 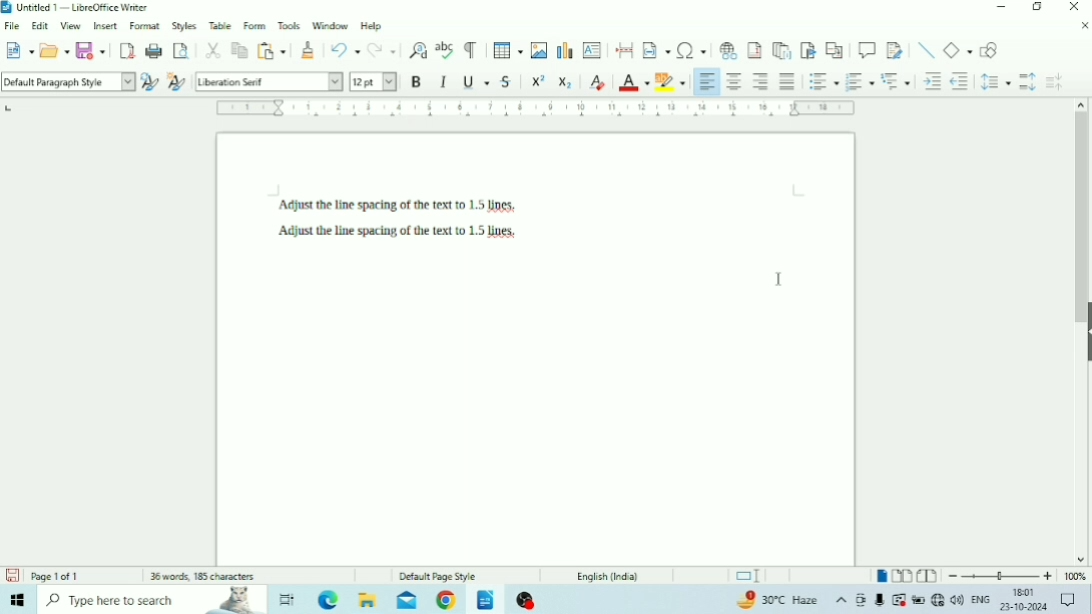 What do you see at coordinates (255, 26) in the screenshot?
I see `Form` at bounding box center [255, 26].